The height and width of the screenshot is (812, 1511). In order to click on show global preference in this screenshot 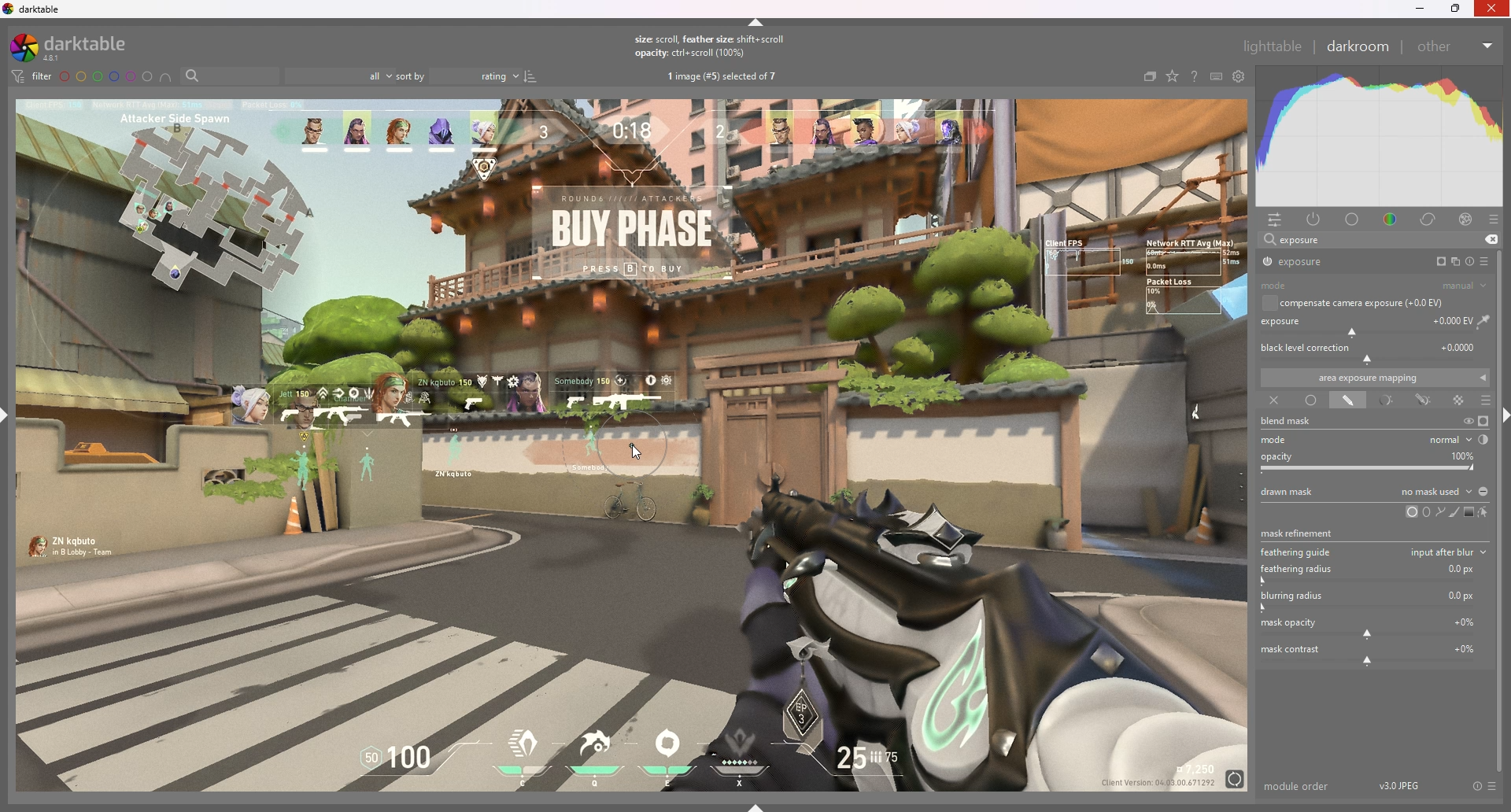, I will do `click(1238, 76)`.